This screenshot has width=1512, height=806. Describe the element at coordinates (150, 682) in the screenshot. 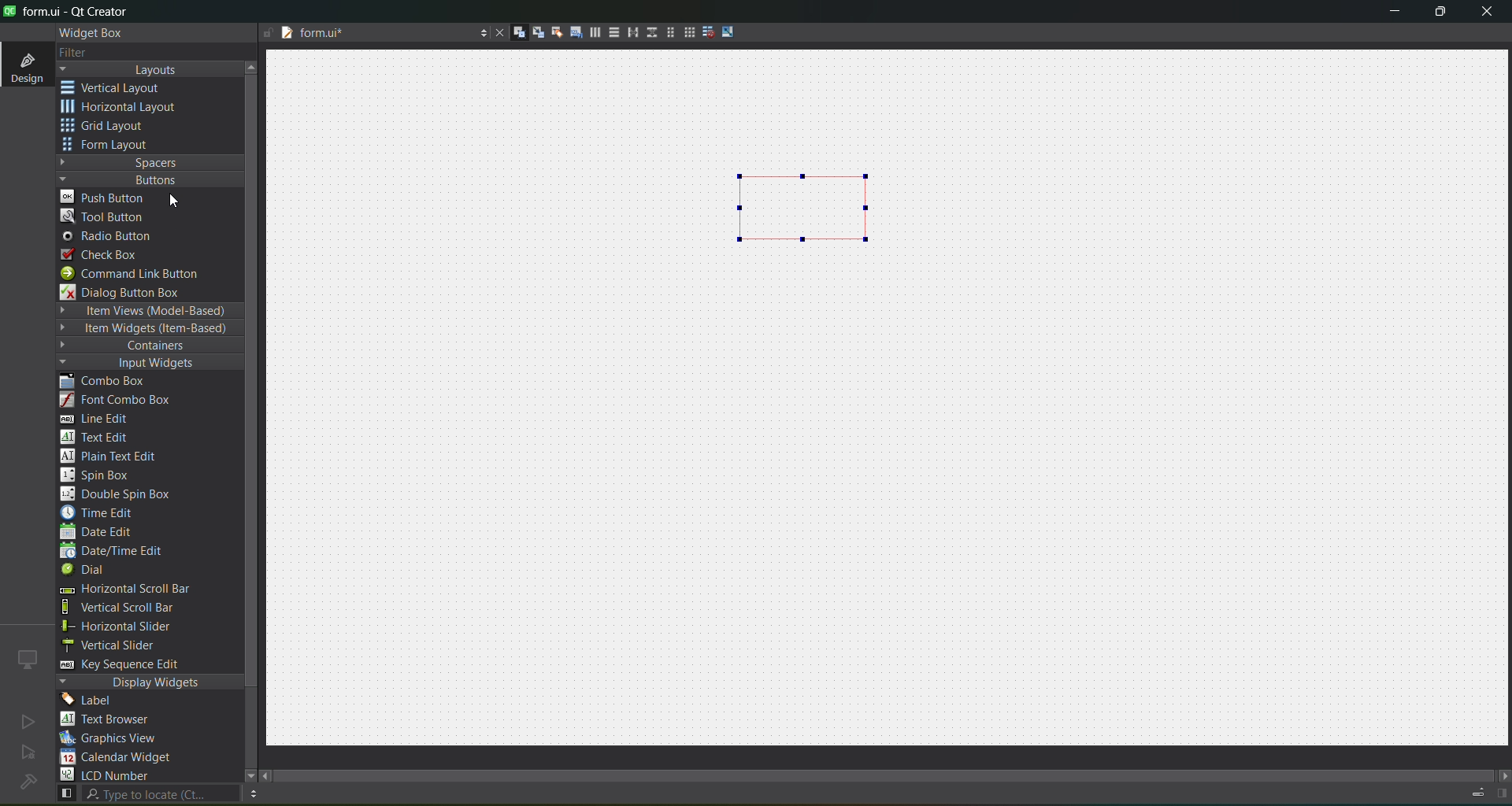

I see `display widgets` at that location.